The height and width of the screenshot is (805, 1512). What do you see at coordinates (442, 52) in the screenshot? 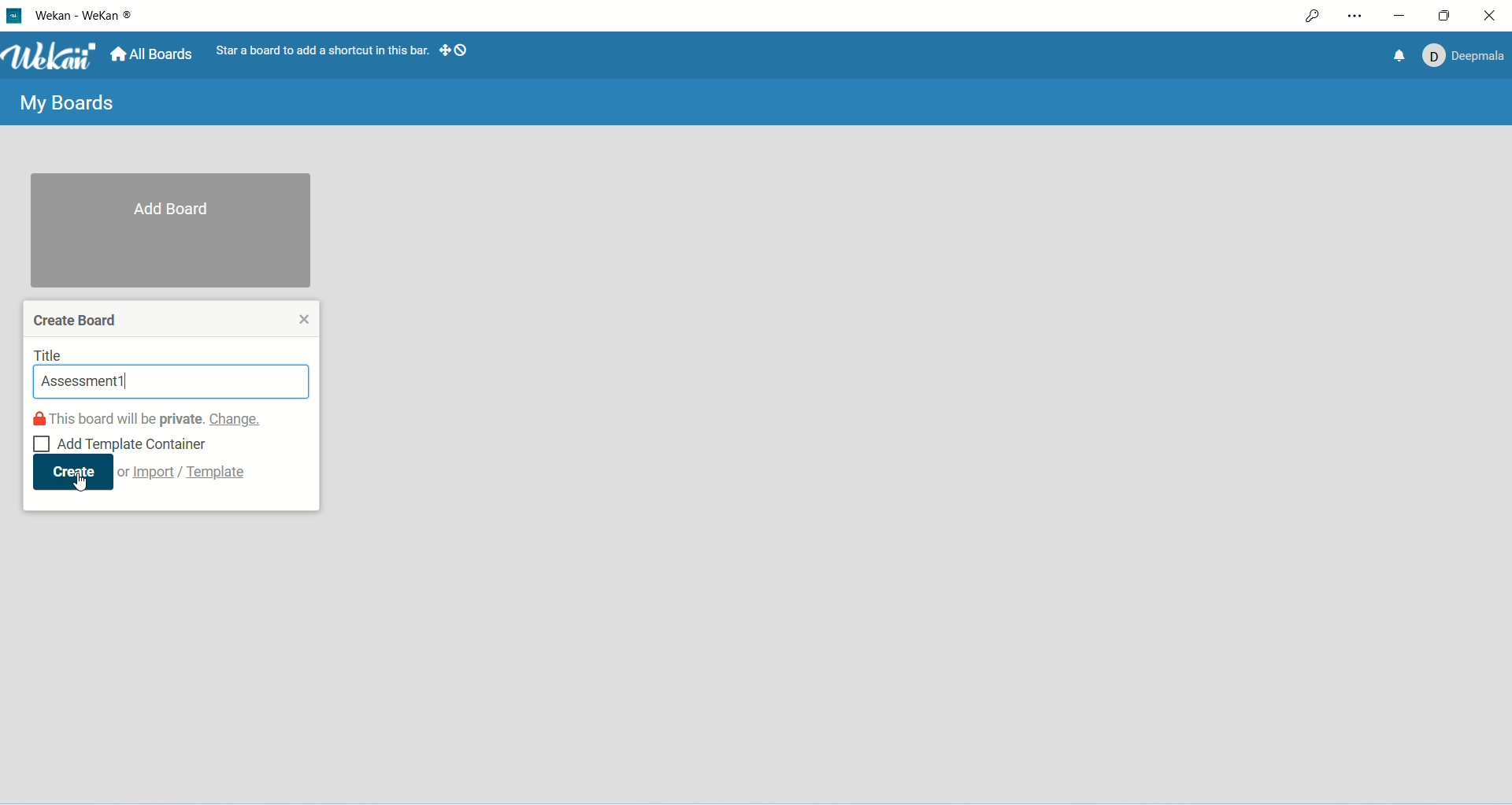
I see `show-desktop-drag-handles` at bounding box center [442, 52].